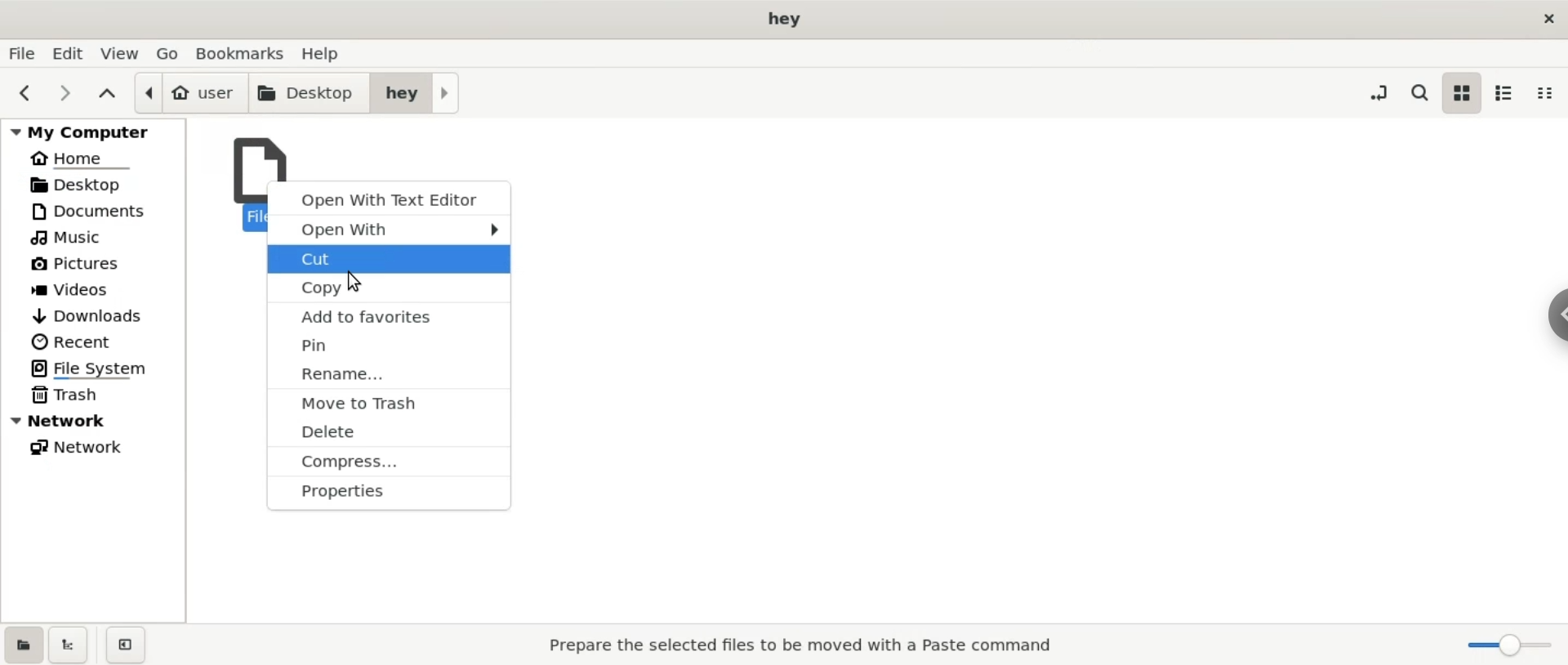  I want to click on trash, so click(94, 395).